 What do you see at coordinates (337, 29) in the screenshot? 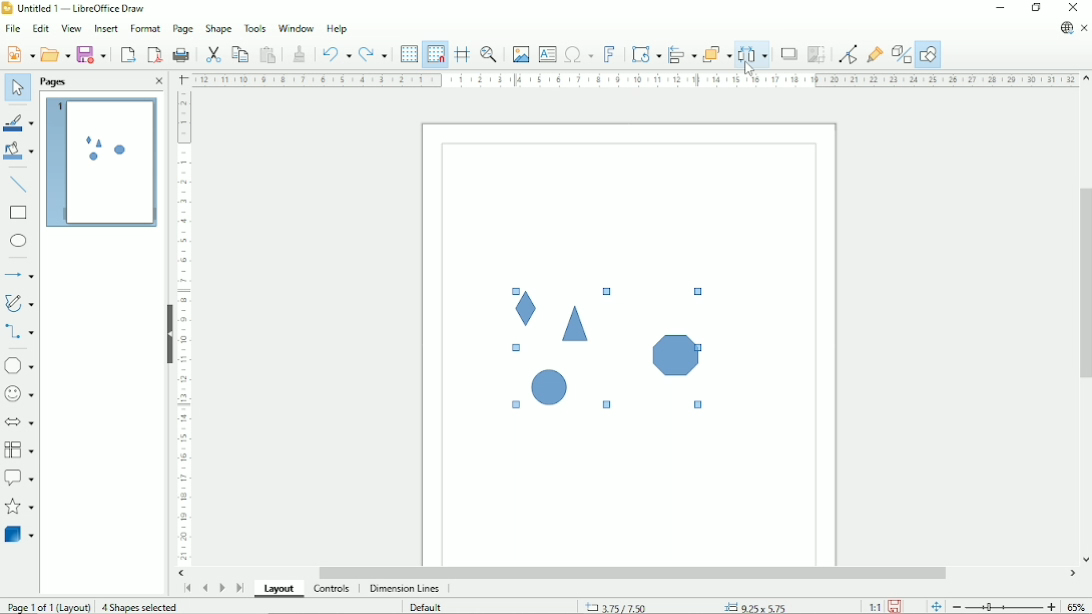
I see `Help` at bounding box center [337, 29].